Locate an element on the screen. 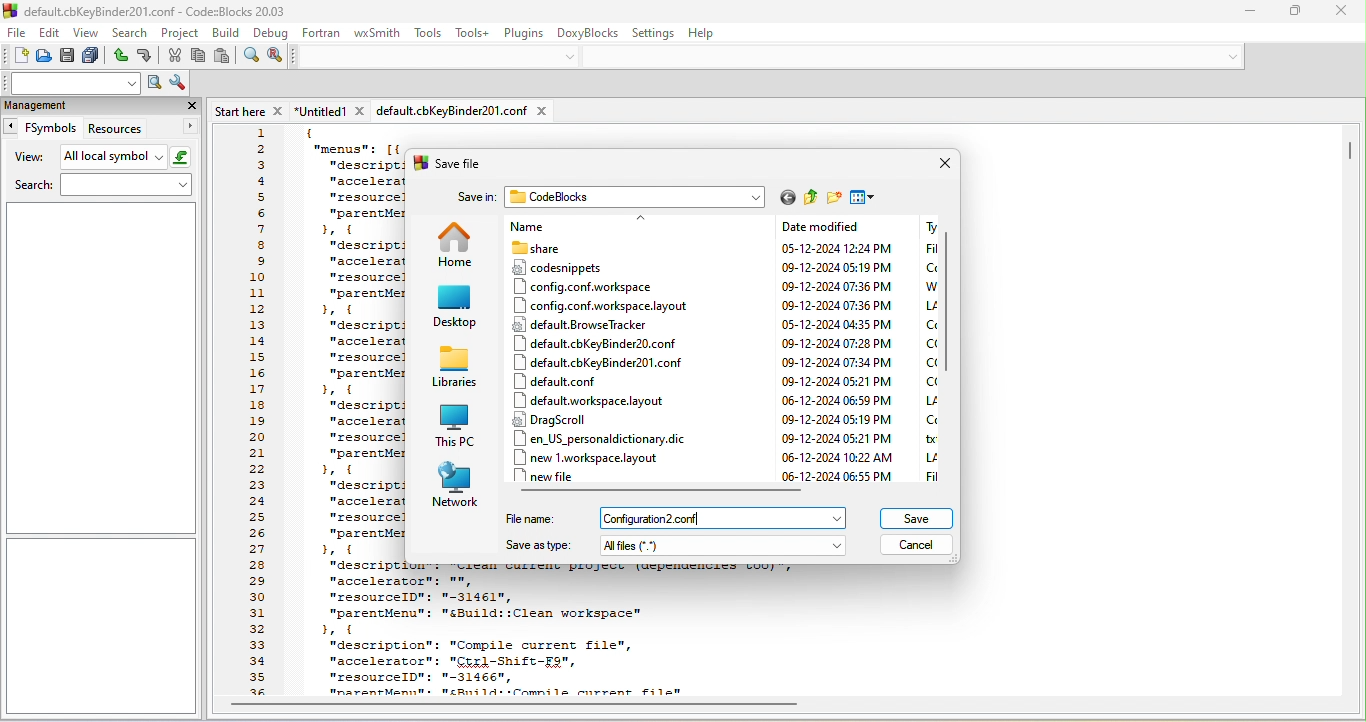 This screenshot has height=722, width=1366. default cbkey binder 20 conf is located at coordinates (603, 343).